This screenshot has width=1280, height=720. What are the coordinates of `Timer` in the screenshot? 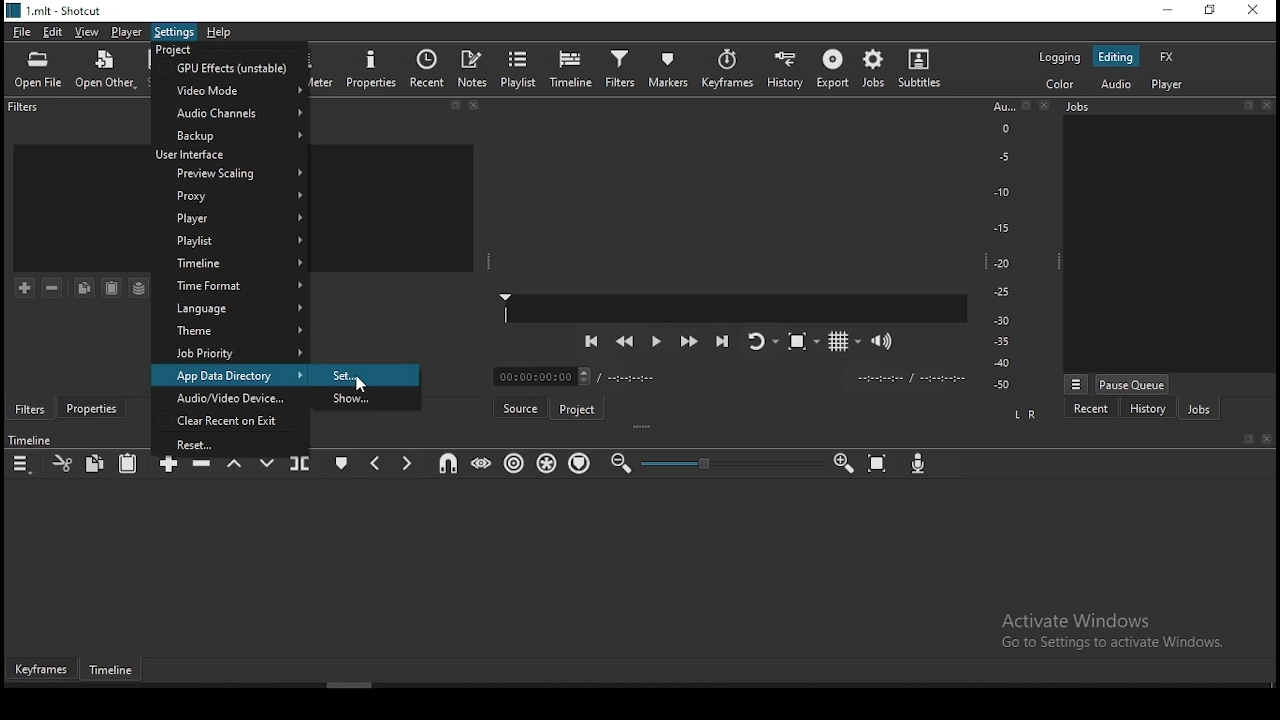 It's located at (732, 376).